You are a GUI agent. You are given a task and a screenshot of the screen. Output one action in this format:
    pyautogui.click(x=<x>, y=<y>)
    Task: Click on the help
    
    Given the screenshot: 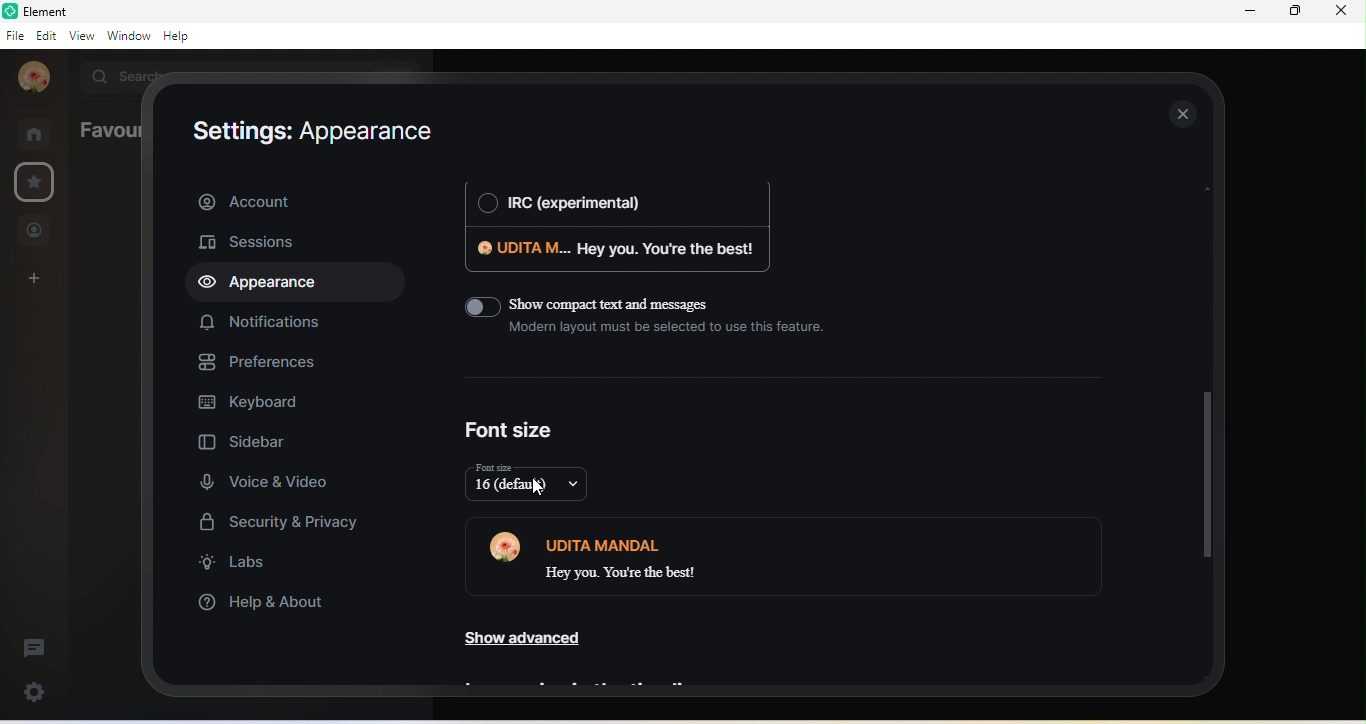 What is the action you would take?
    pyautogui.click(x=178, y=36)
    